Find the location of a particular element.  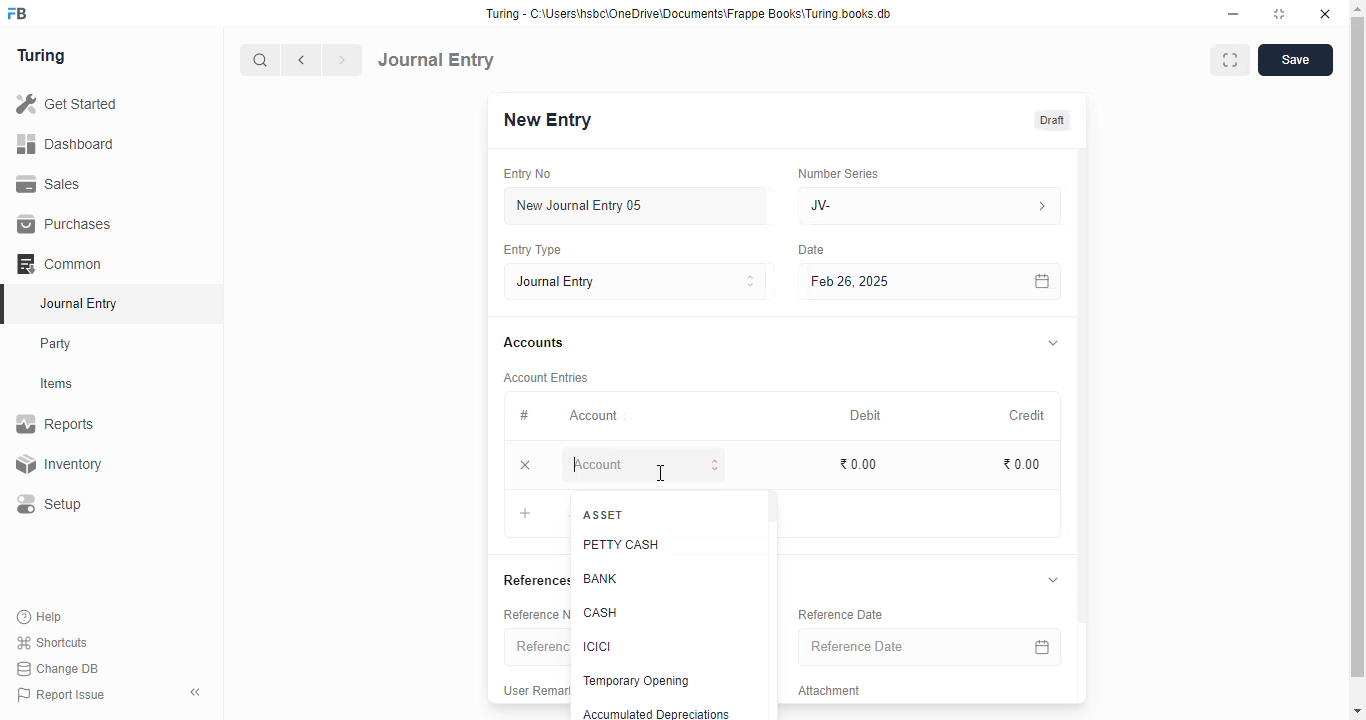

calendar icon is located at coordinates (1040, 646).